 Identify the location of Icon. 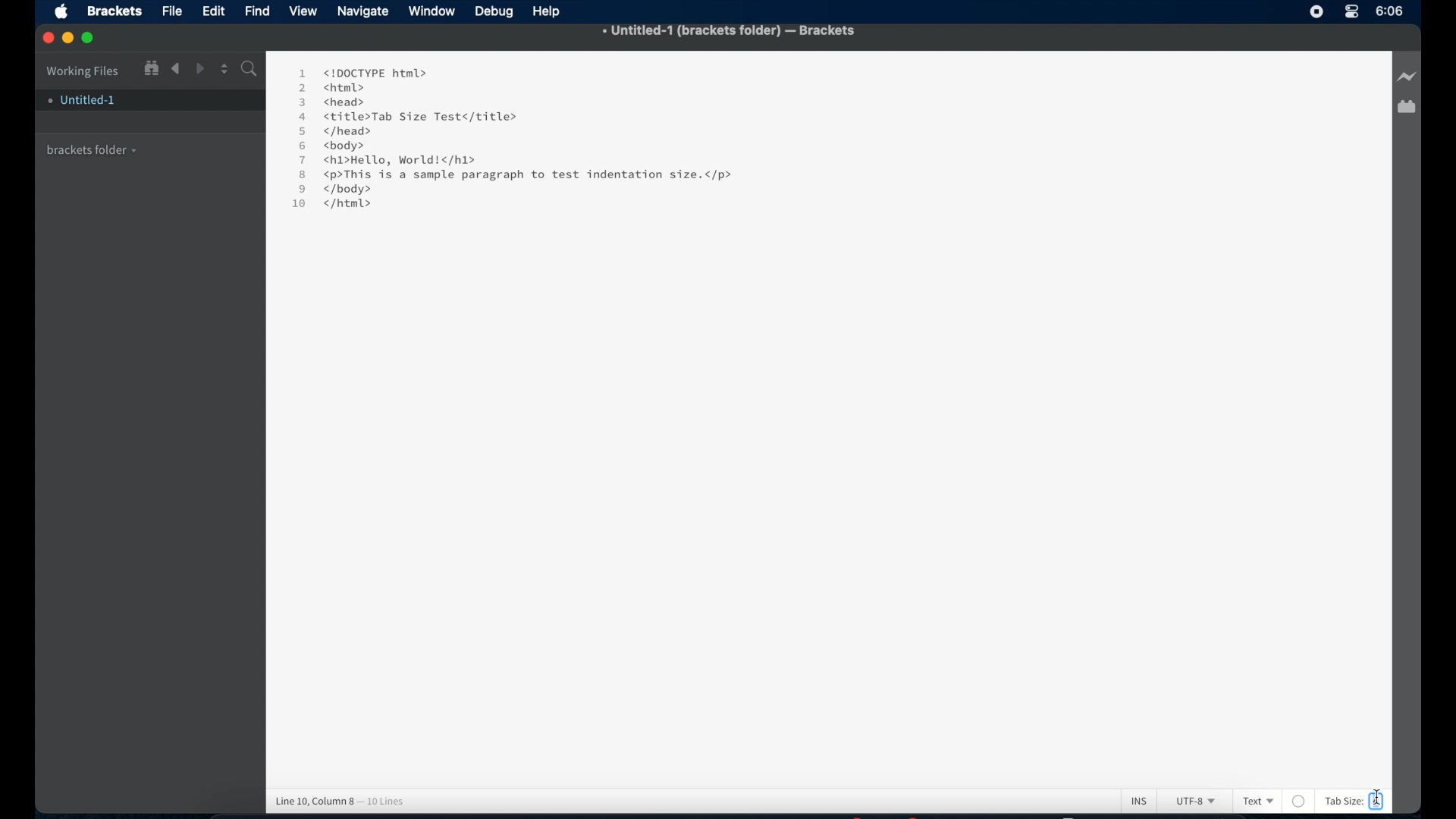
(65, 13).